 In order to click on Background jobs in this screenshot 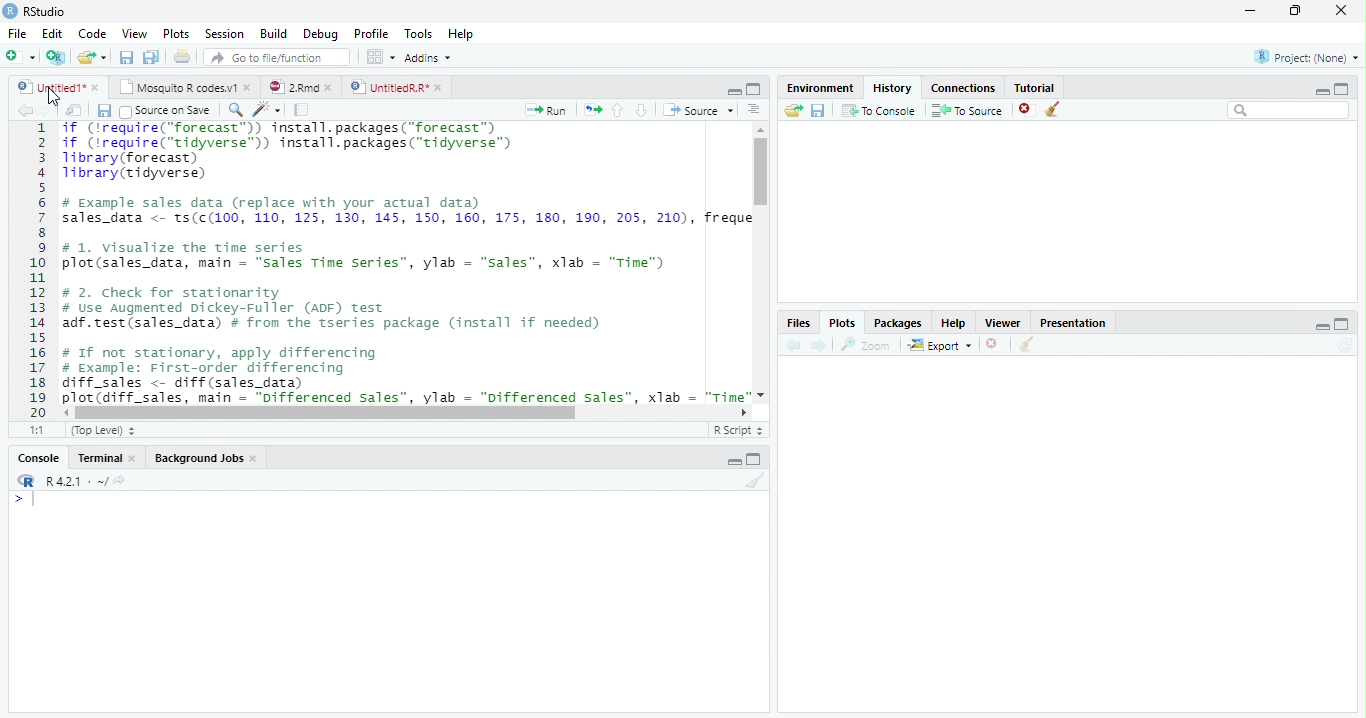, I will do `click(206, 458)`.